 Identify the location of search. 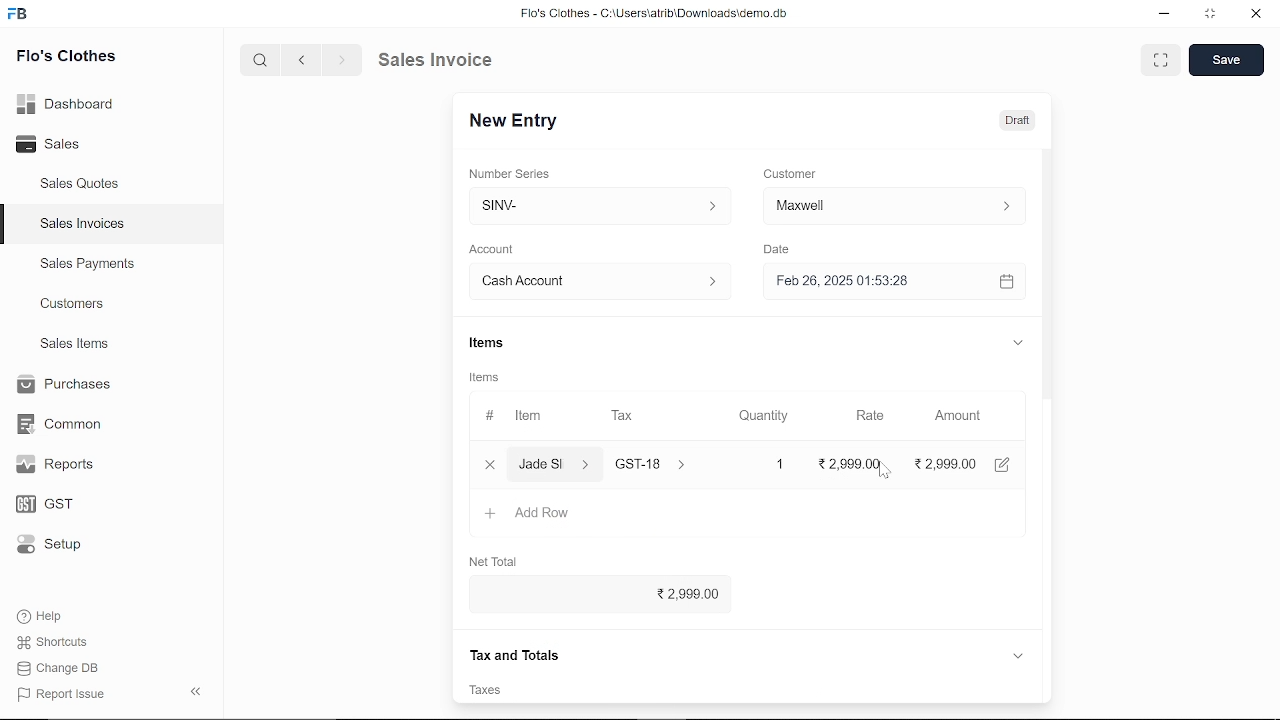
(262, 59).